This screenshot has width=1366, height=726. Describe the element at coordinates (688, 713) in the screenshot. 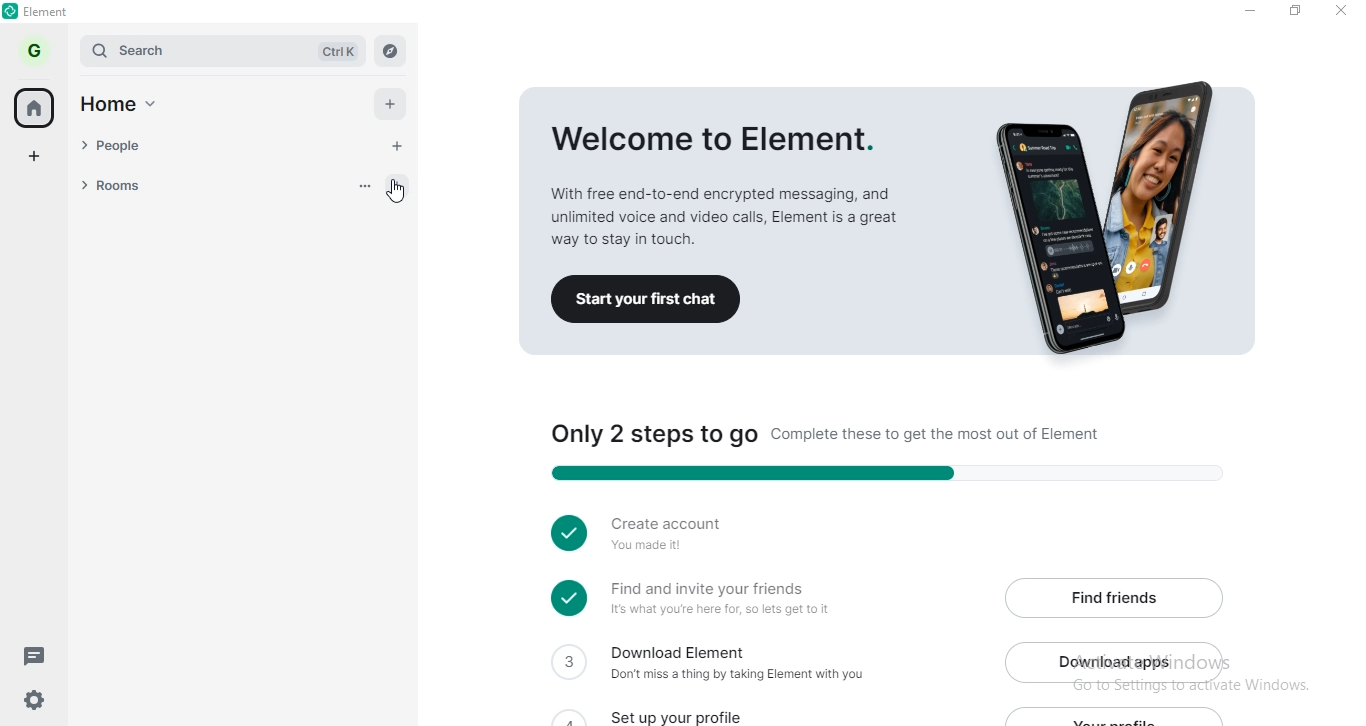

I see `set up your profile` at that location.